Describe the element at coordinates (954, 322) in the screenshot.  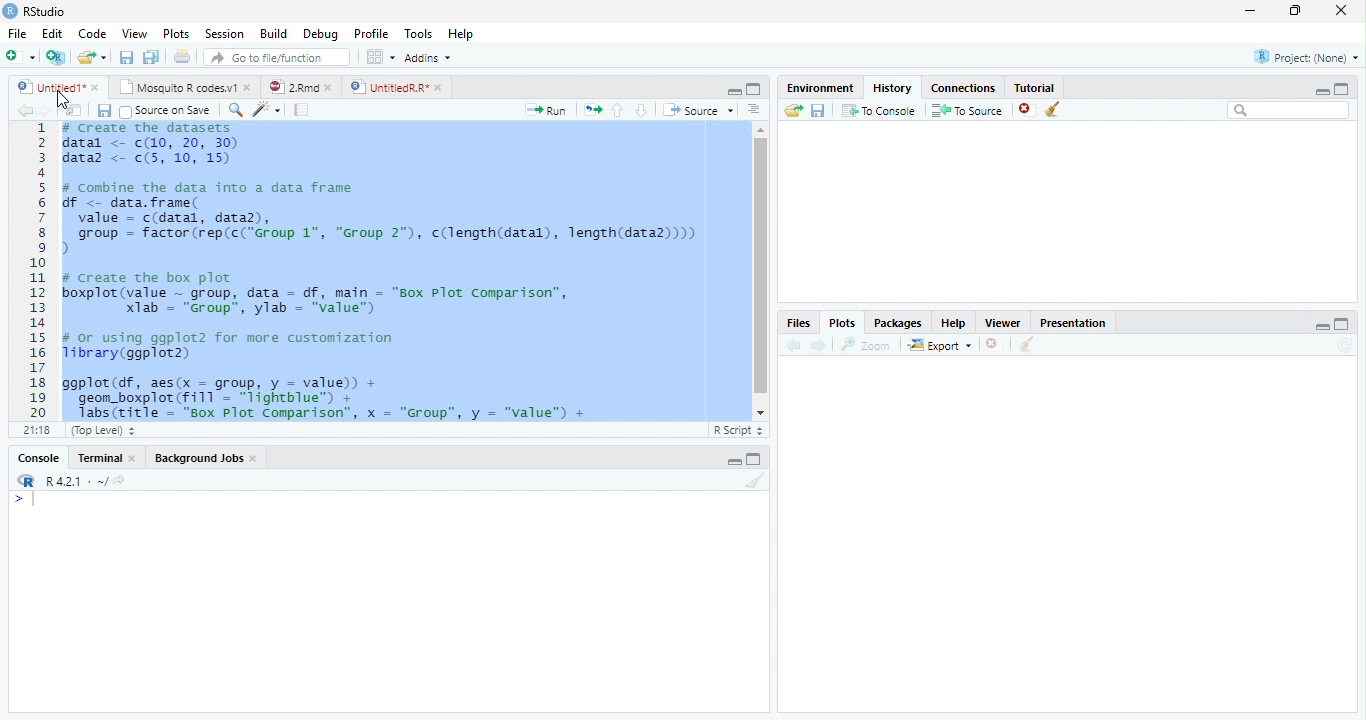
I see `Help` at that location.